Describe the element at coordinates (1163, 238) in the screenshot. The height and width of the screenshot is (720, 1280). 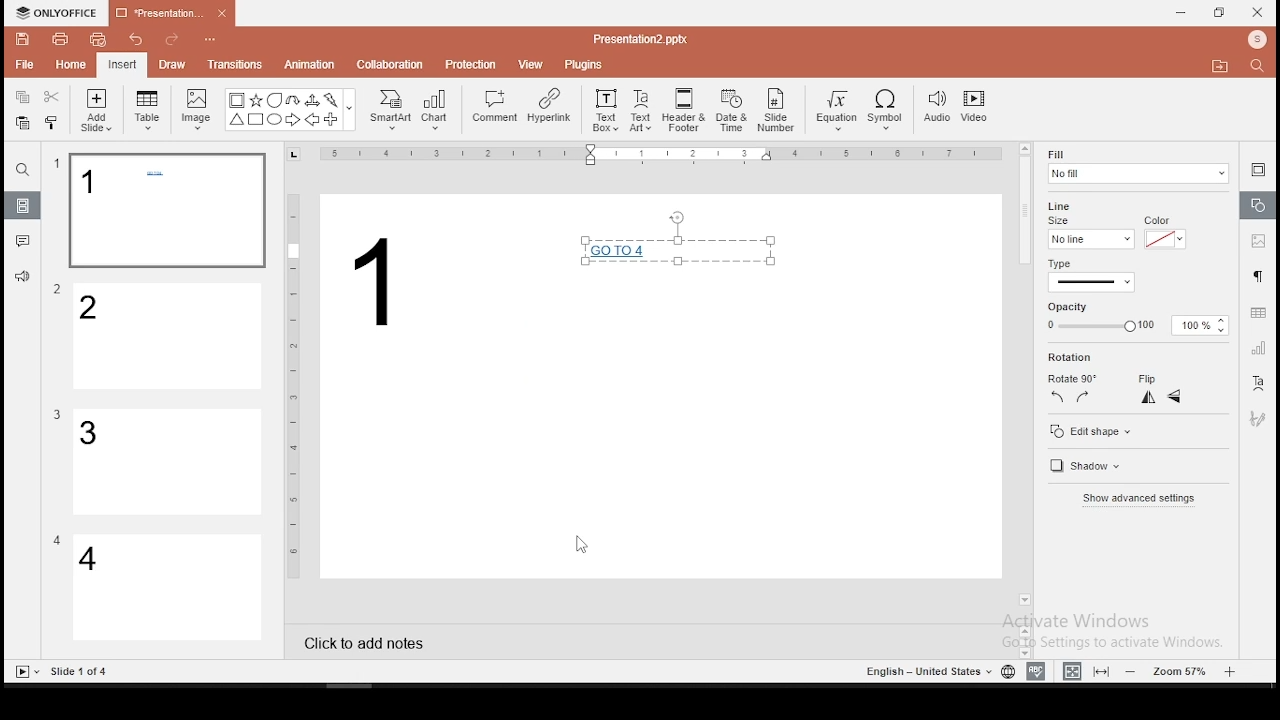
I see `line color` at that location.